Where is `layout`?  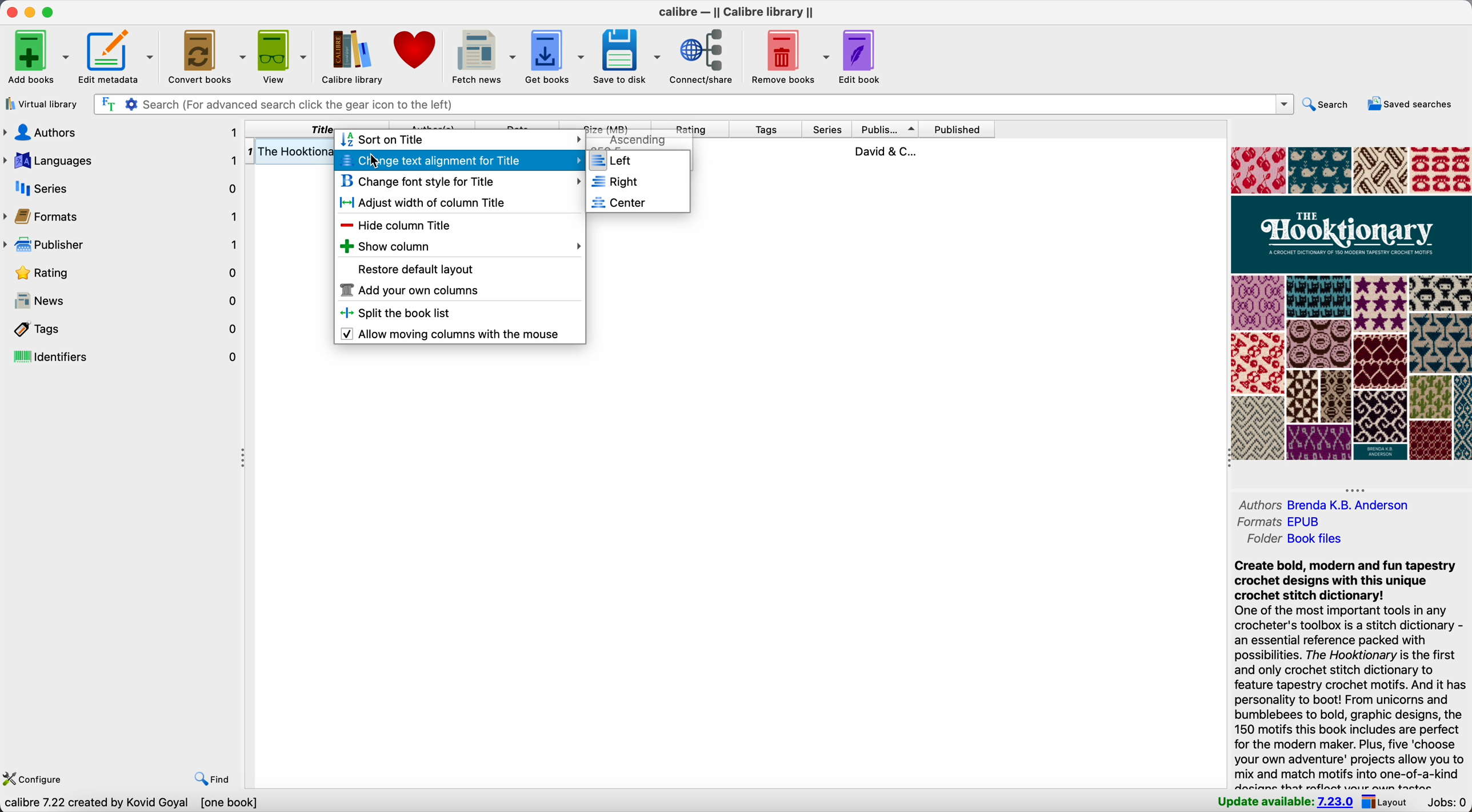
layout is located at coordinates (1390, 802).